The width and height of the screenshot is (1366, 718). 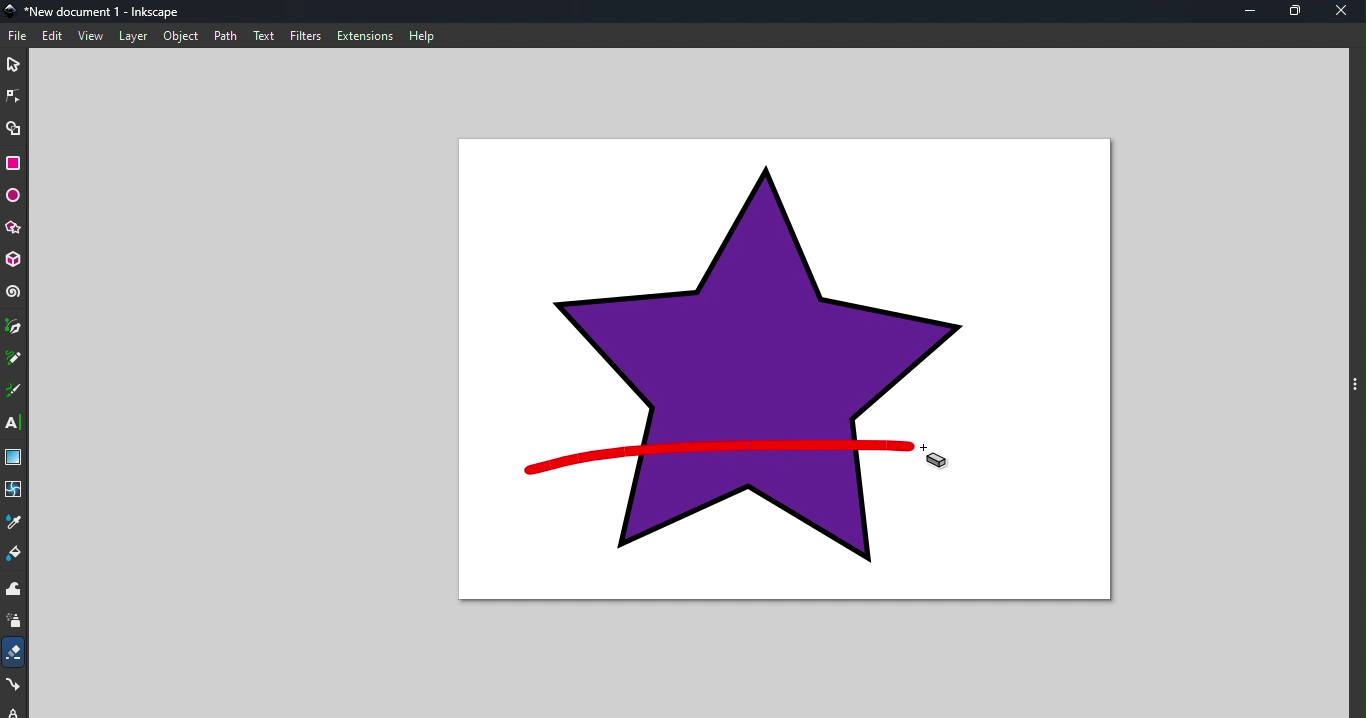 I want to click on extensions, so click(x=366, y=36).